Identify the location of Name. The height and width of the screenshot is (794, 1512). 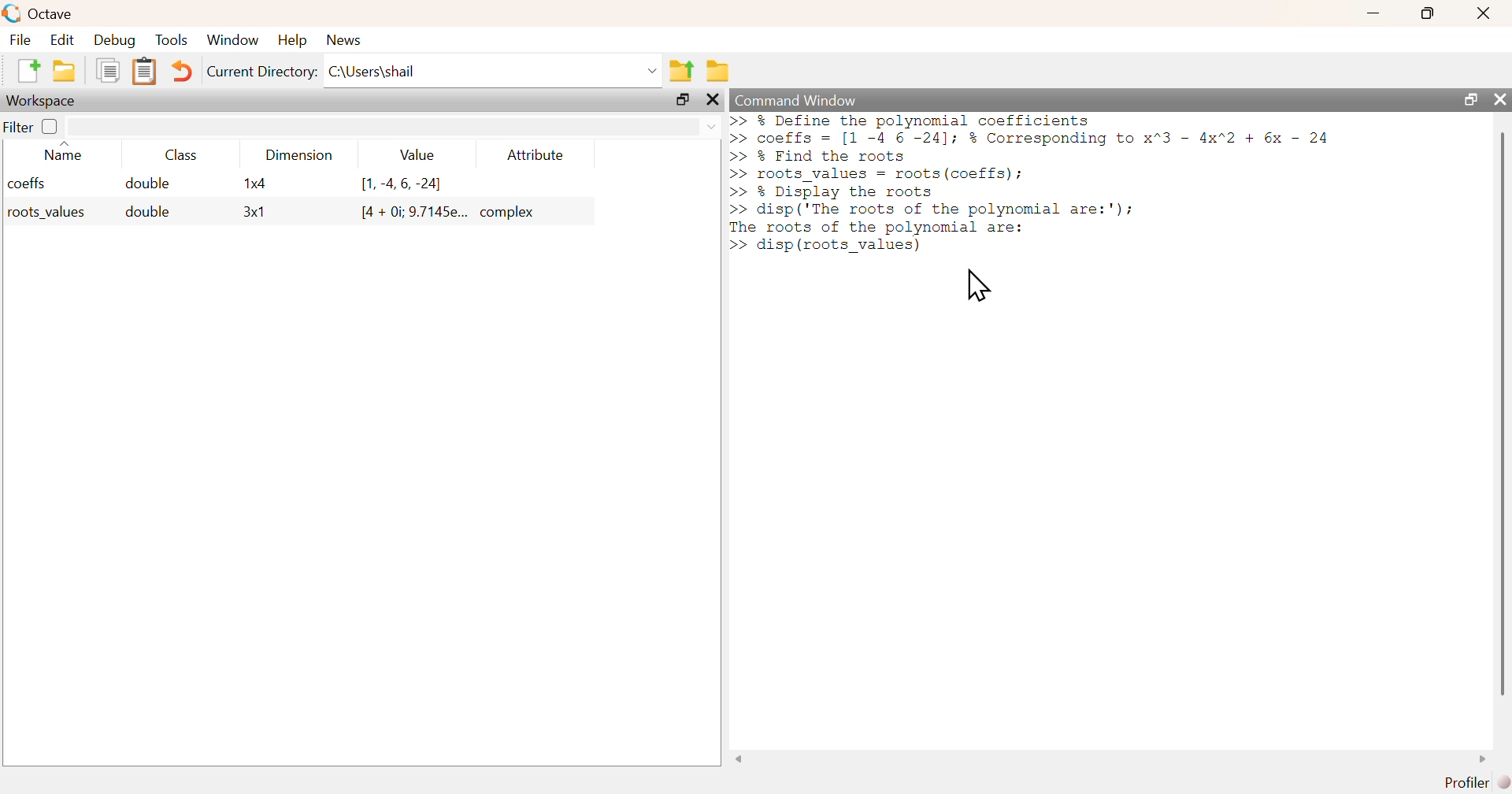
(65, 150).